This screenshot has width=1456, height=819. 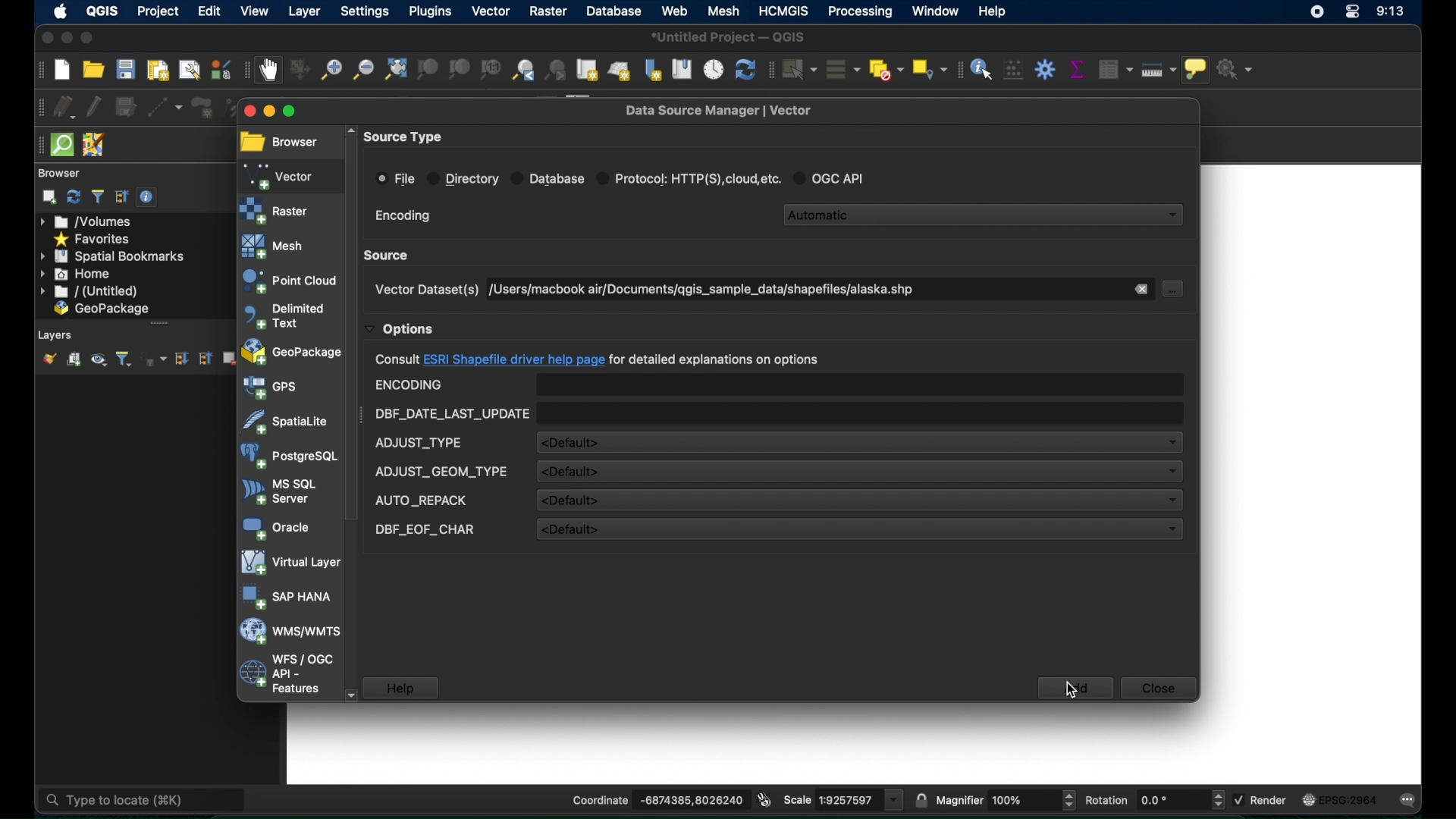 What do you see at coordinates (401, 688) in the screenshot?
I see `help` at bounding box center [401, 688].